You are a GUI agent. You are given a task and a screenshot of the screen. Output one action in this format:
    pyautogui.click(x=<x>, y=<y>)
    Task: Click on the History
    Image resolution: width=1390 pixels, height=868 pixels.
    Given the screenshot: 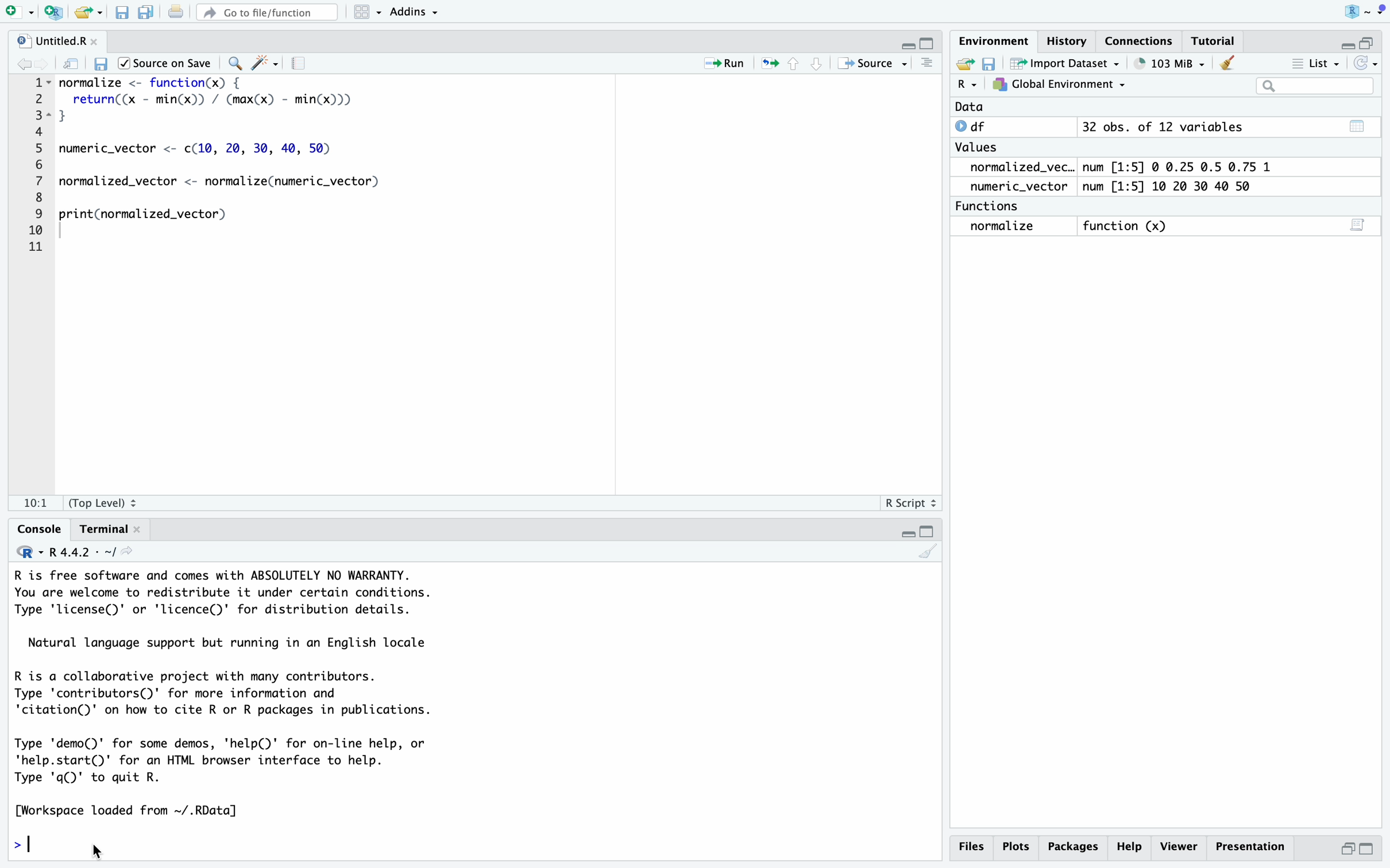 What is the action you would take?
    pyautogui.click(x=1068, y=39)
    